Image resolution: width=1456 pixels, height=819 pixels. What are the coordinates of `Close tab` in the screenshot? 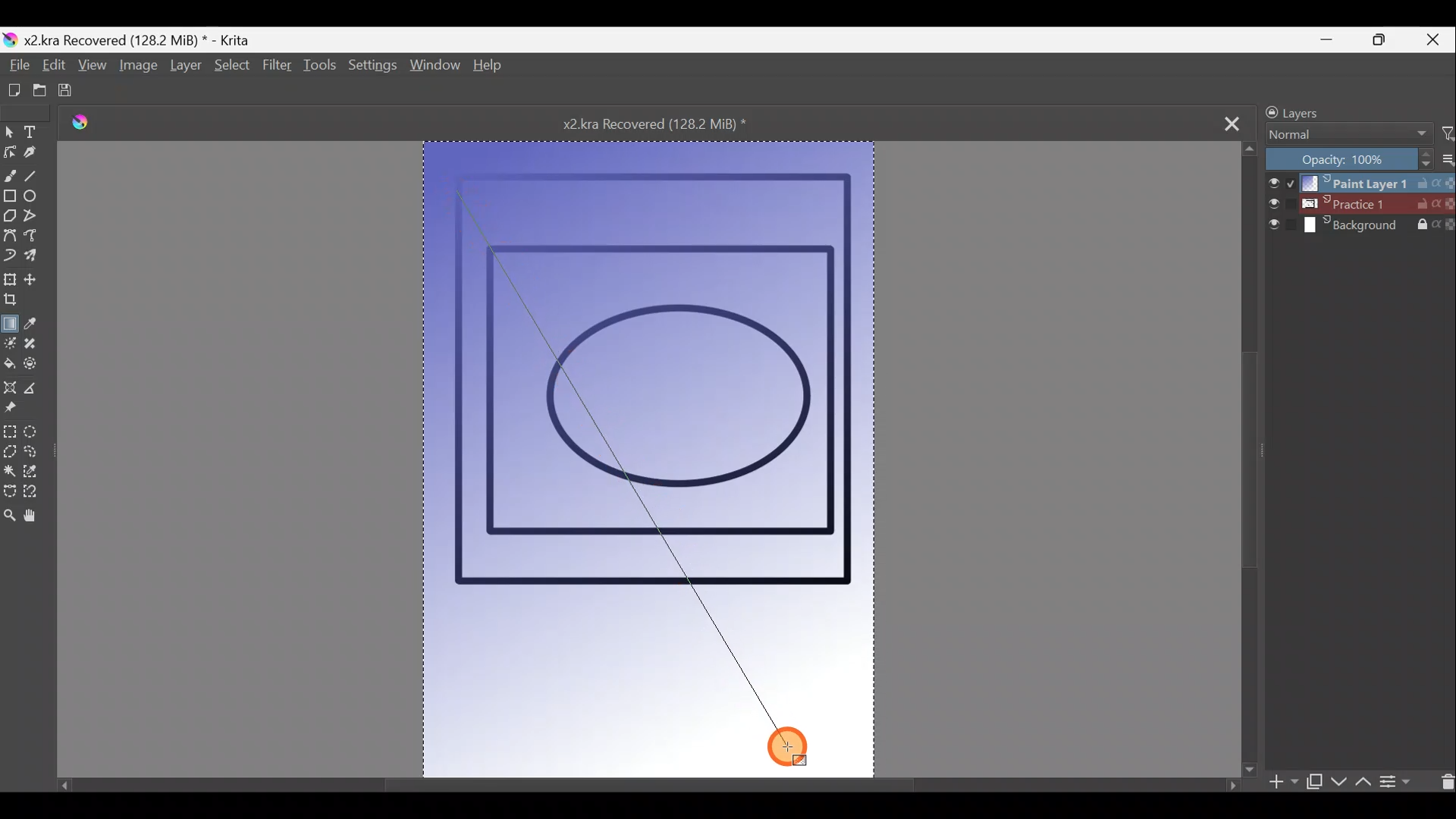 It's located at (1232, 122).